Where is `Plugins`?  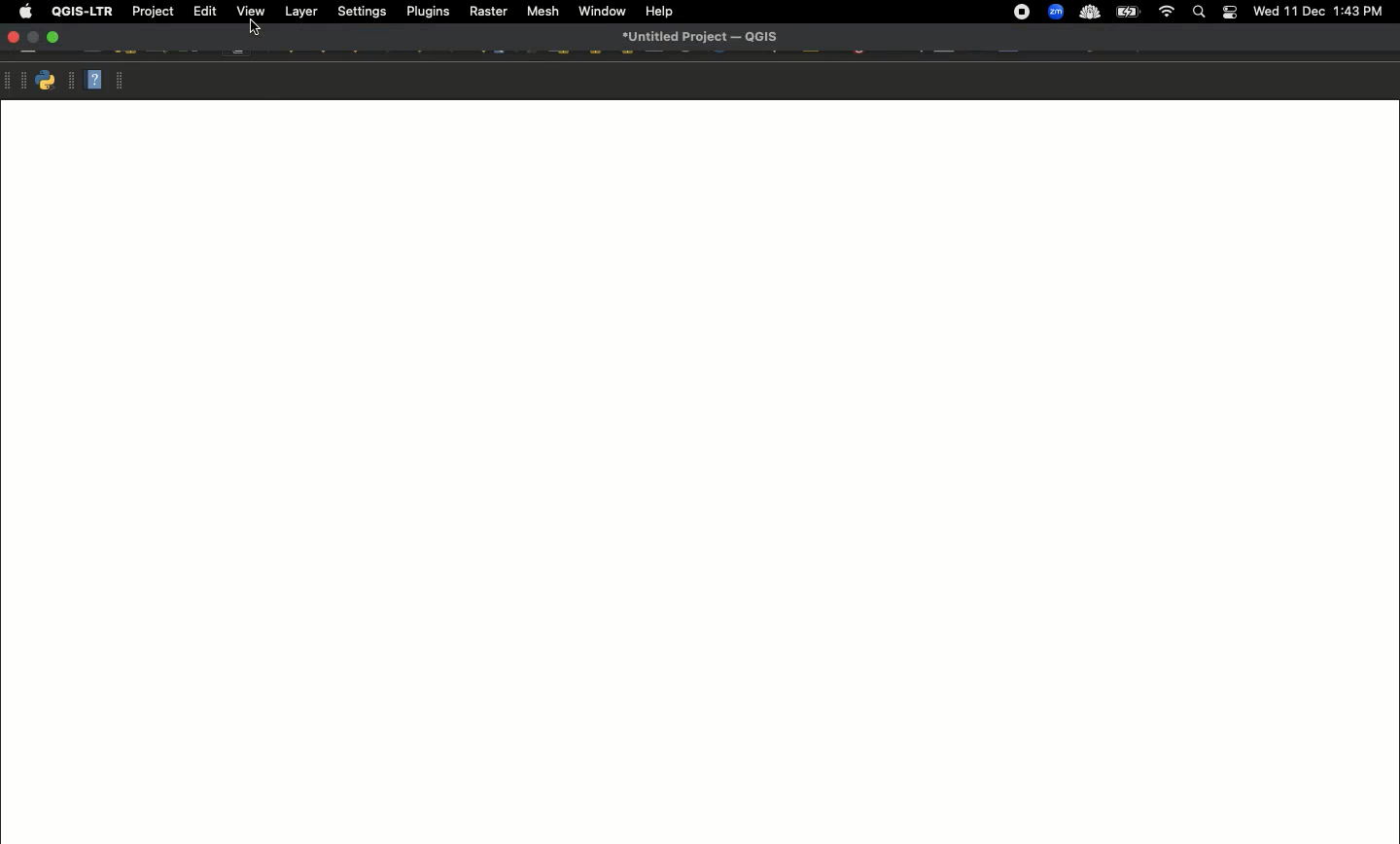 Plugins is located at coordinates (426, 10).